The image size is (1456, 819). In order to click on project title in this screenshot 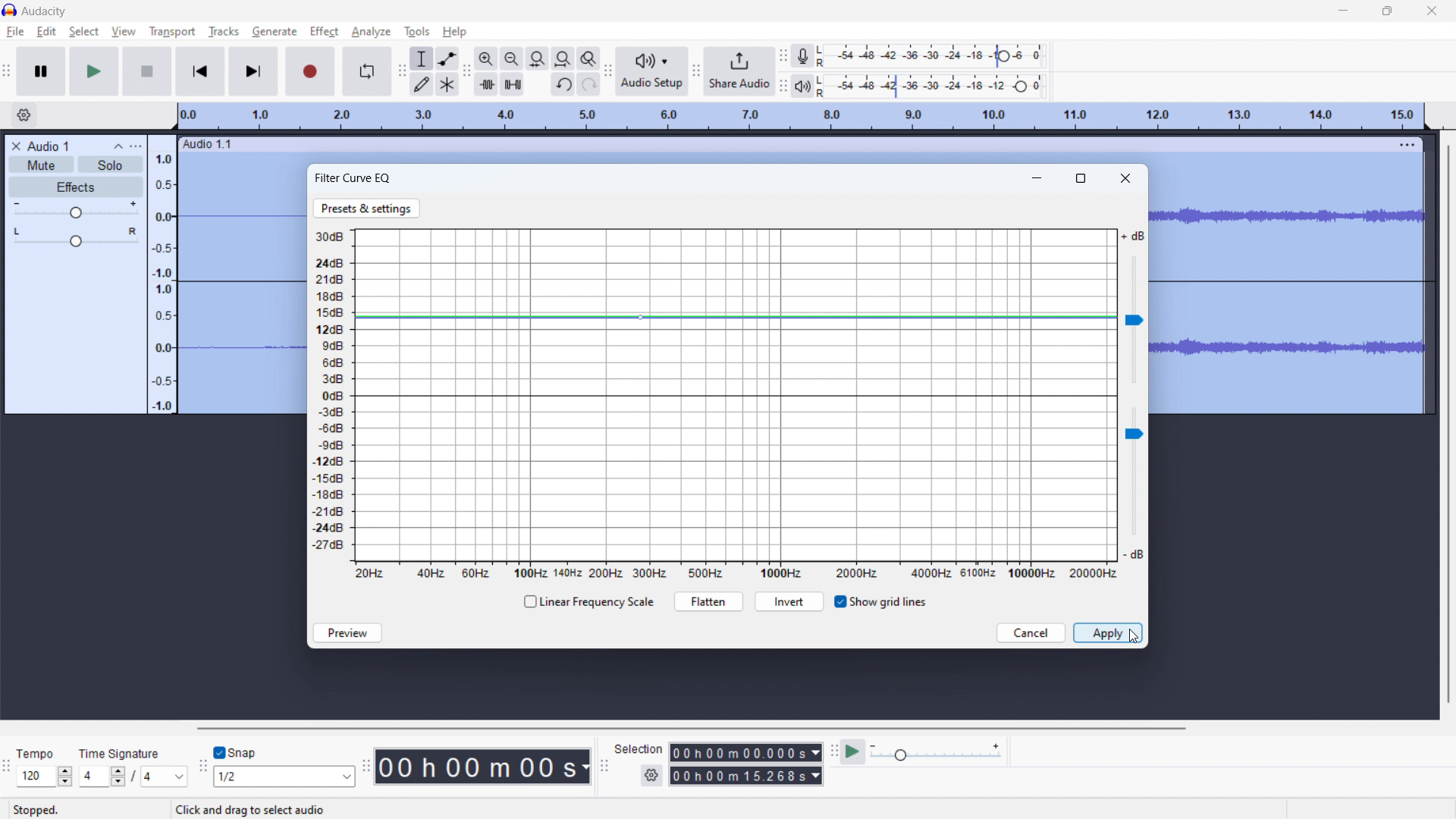, I will do `click(49, 146)`.